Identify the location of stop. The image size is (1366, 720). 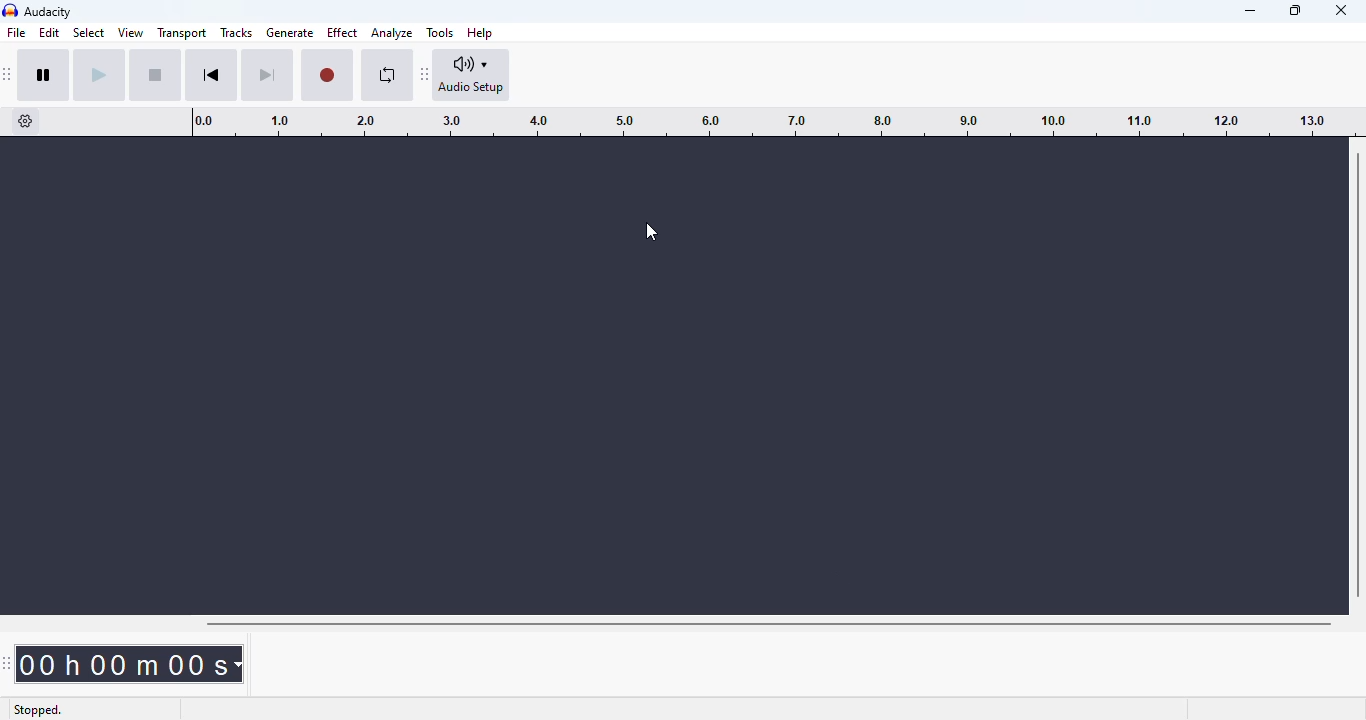
(155, 75).